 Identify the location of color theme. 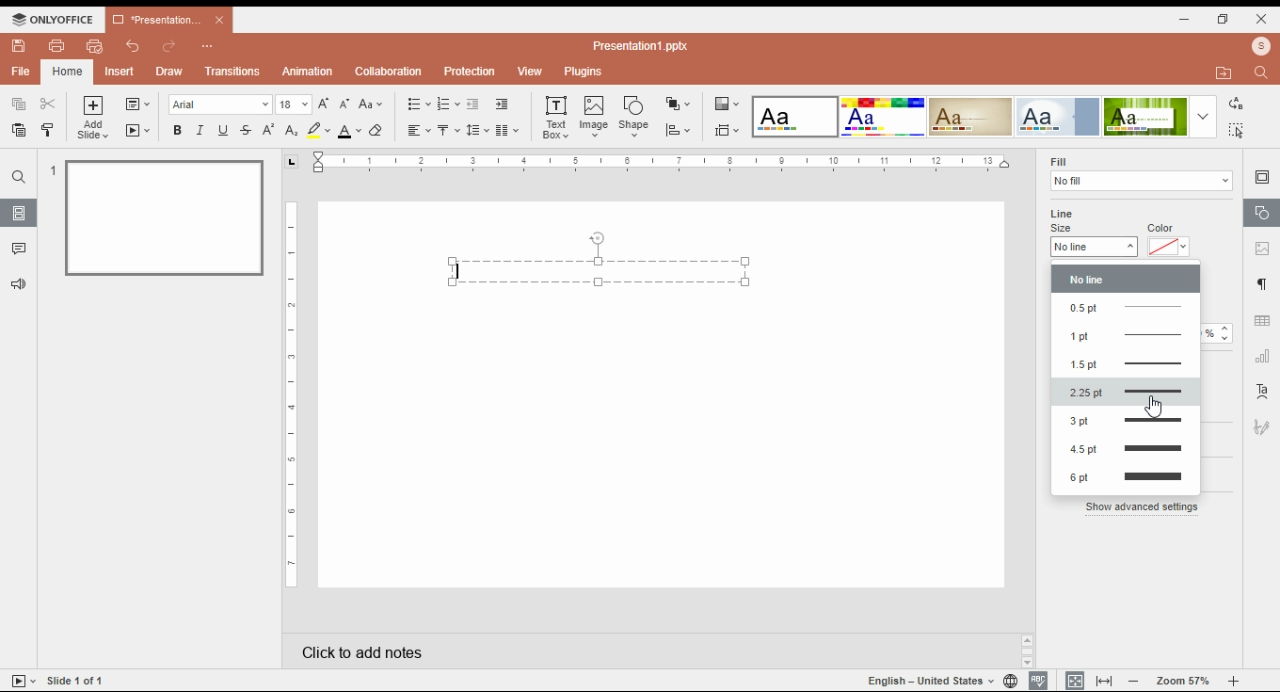
(883, 117).